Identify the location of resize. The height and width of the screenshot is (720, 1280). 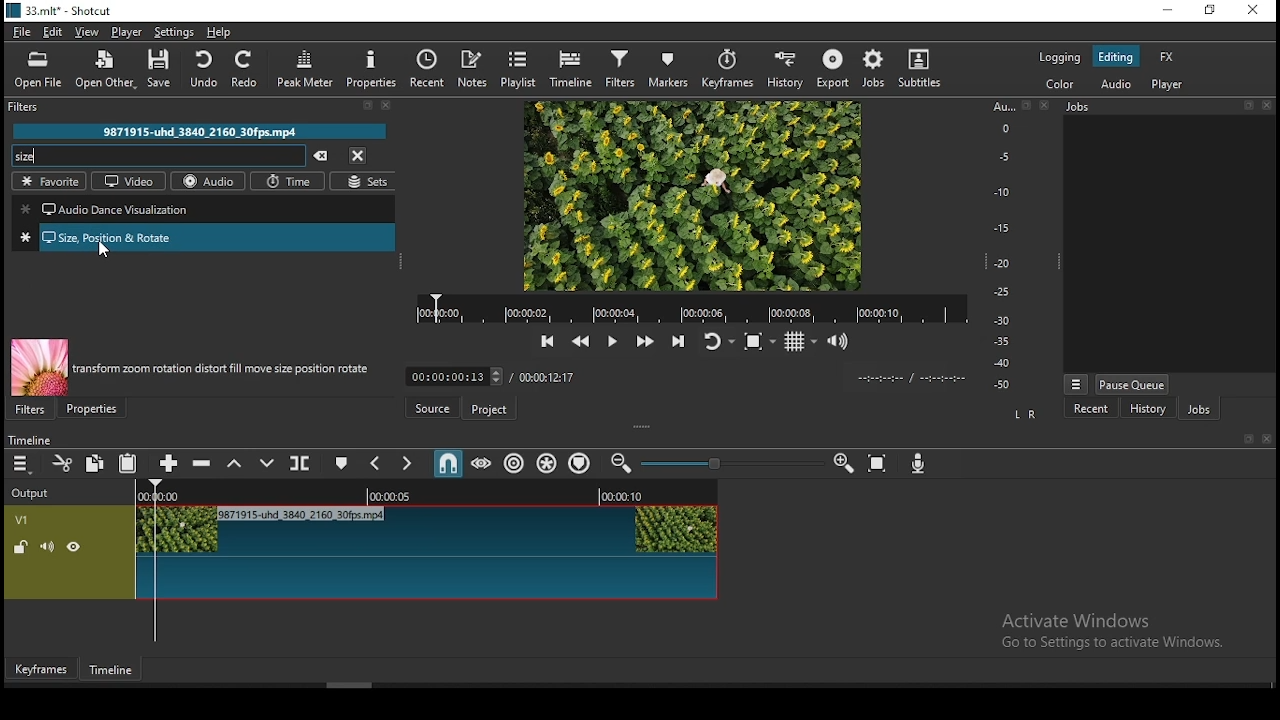
(367, 105).